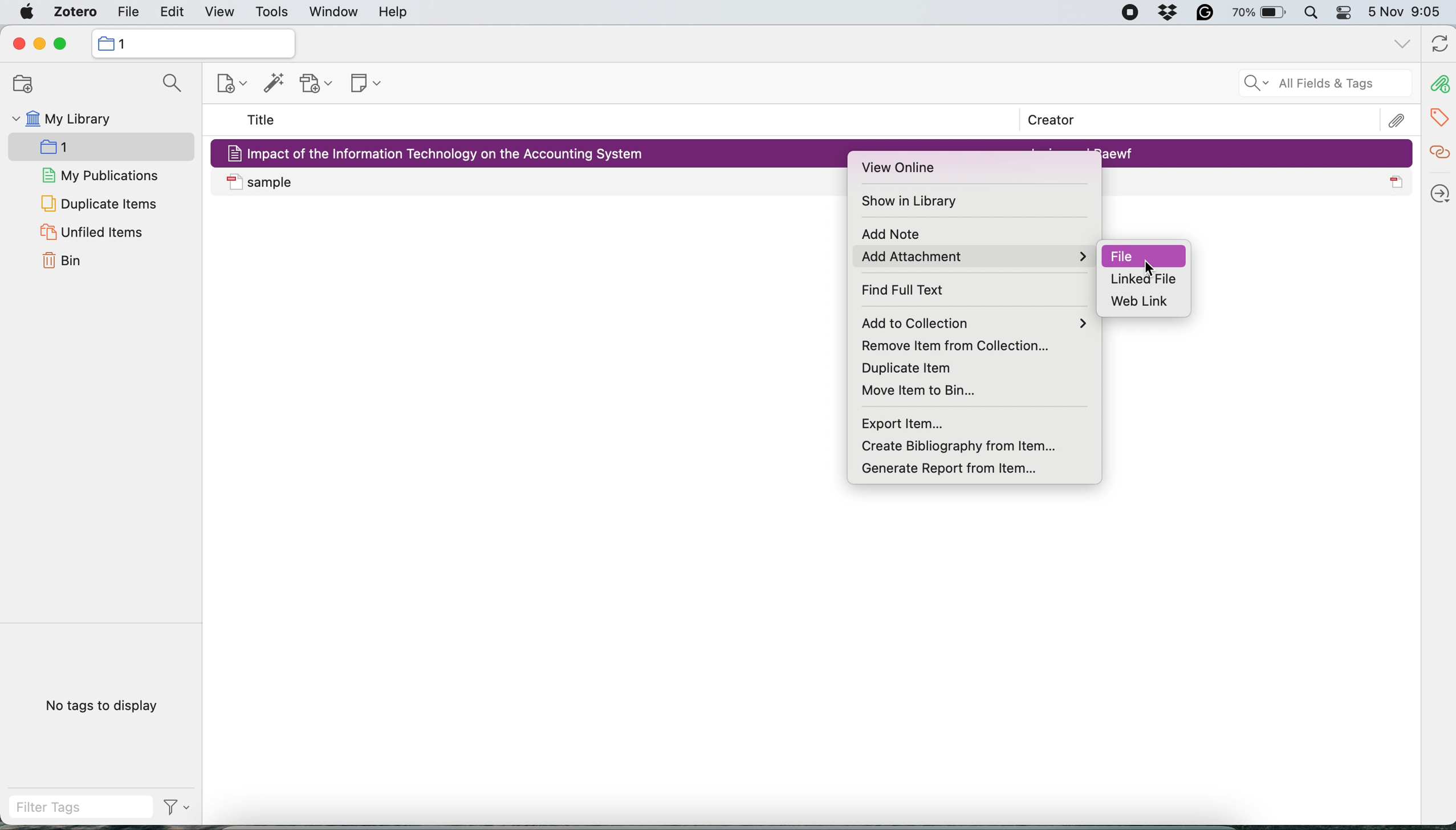 This screenshot has height=830, width=1456. Describe the element at coordinates (1408, 13) in the screenshot. I see `5 Nov 9:05` at that location.